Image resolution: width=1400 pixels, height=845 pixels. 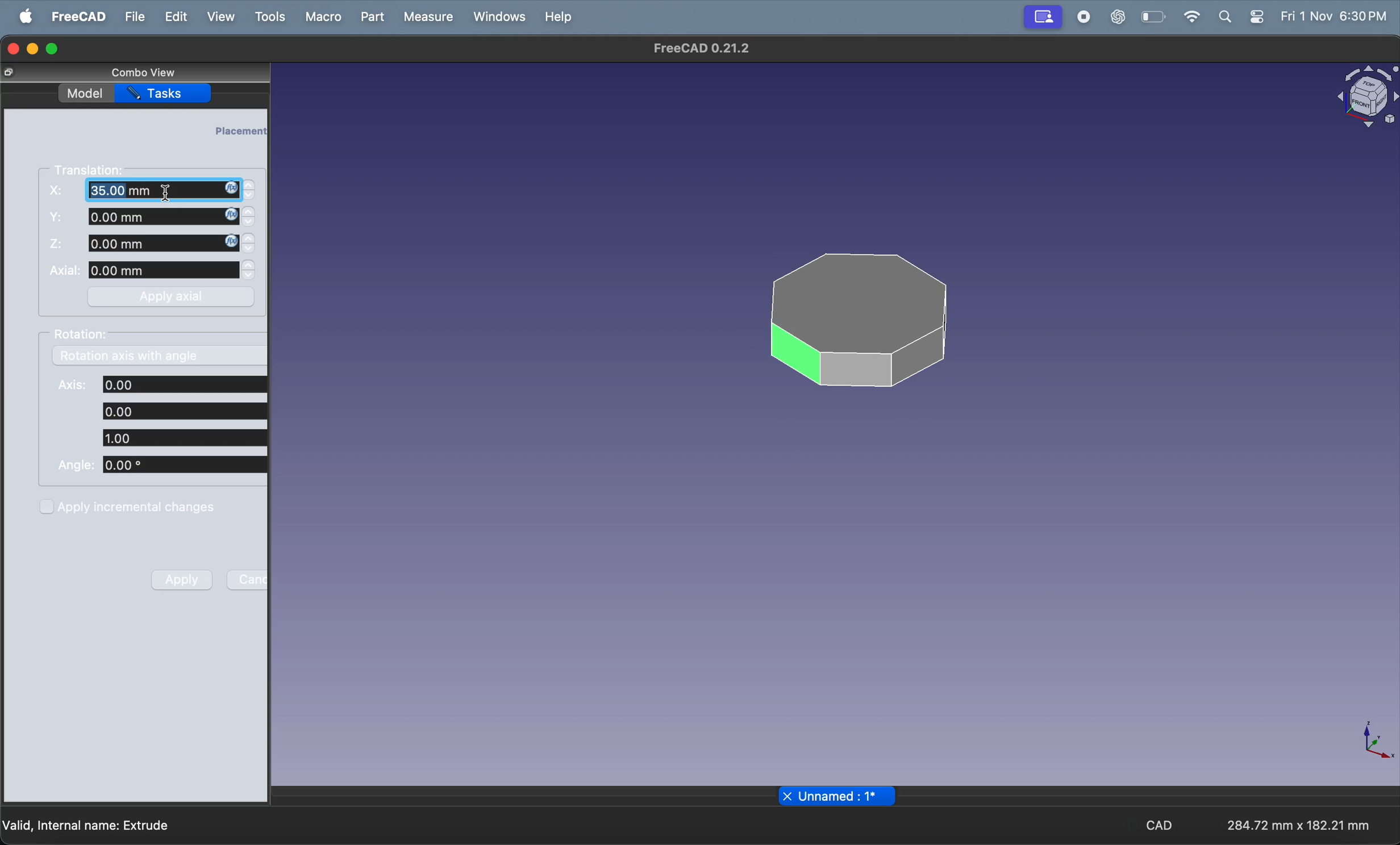 What do you see at coordinates (166, 194) in the screenshot?
I see `cursor` at bounding box center [166, 194].